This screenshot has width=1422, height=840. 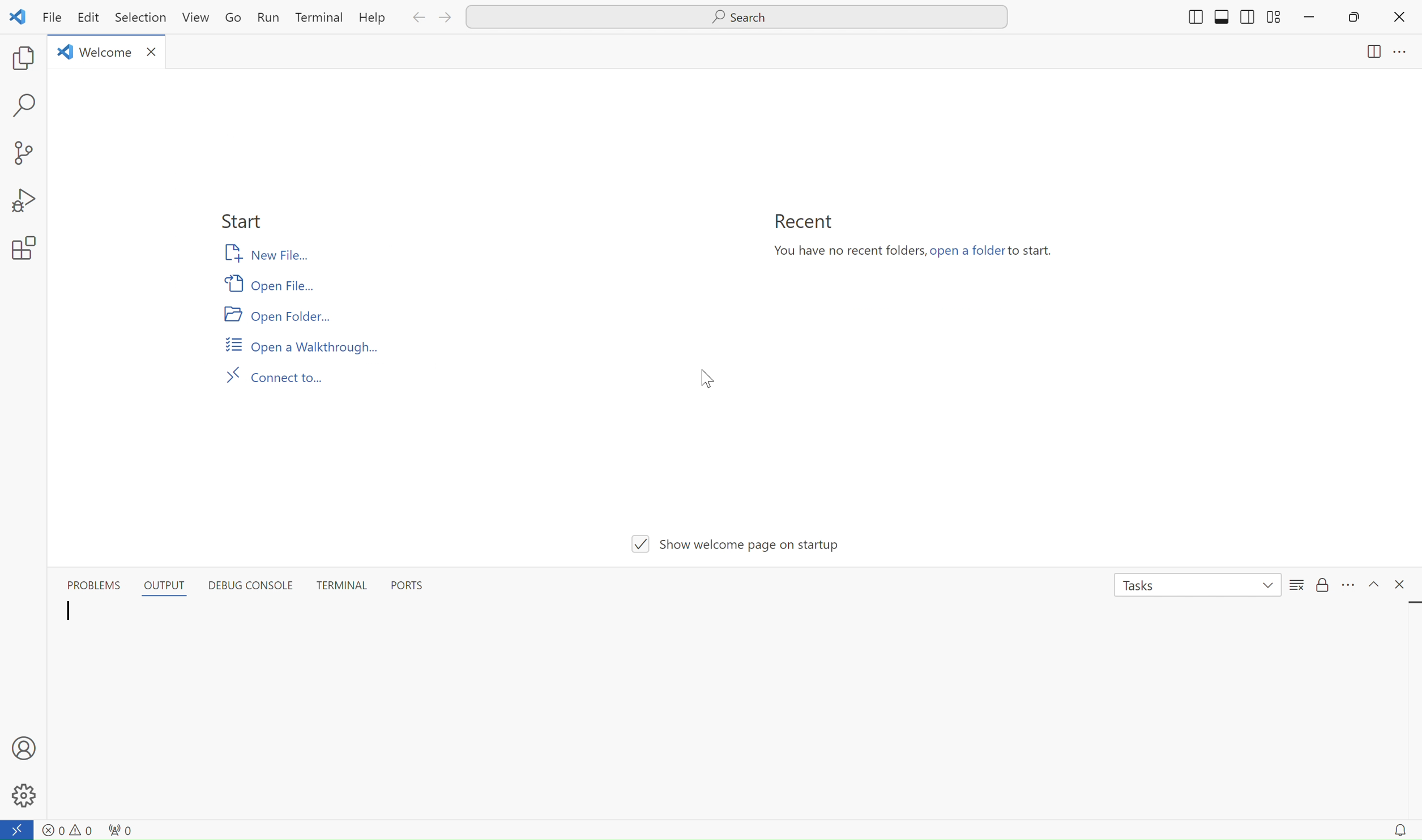 What do you see at coordinates (270, 256) in the screenshot?
I see `New File` at bounding box center [270, 256].